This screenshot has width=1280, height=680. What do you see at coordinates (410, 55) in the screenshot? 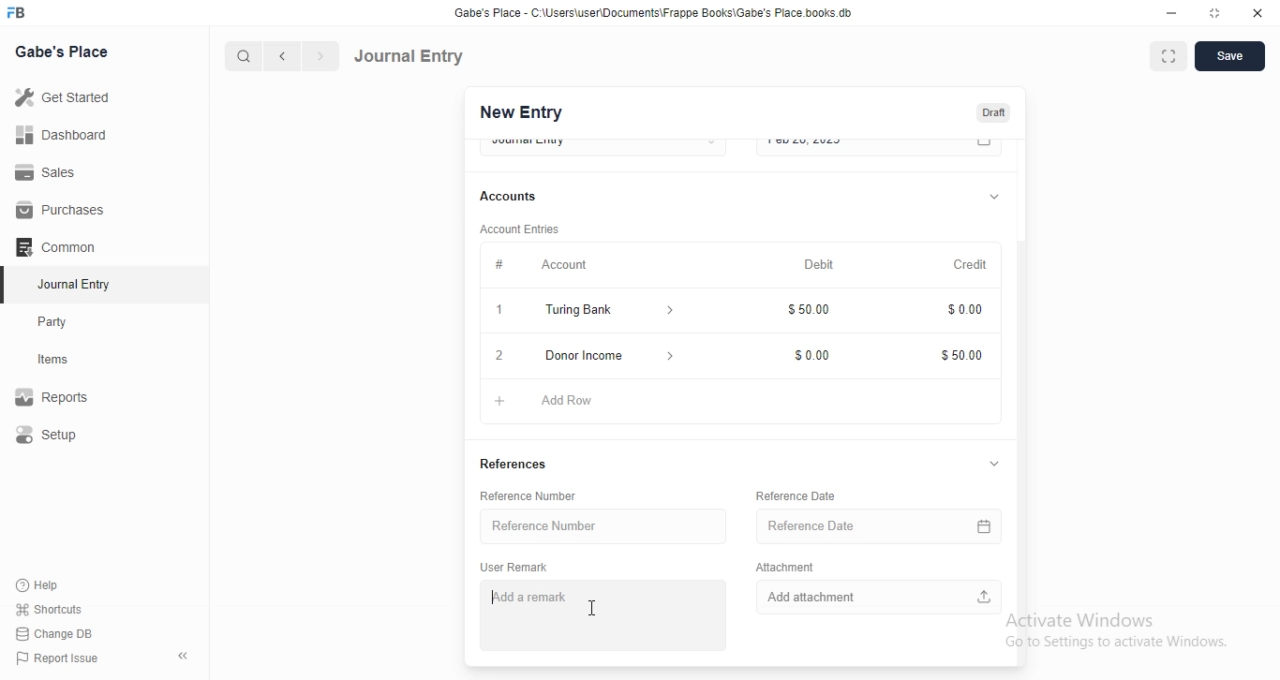
I see `Journal Entry` at bounding box center [410, 55].